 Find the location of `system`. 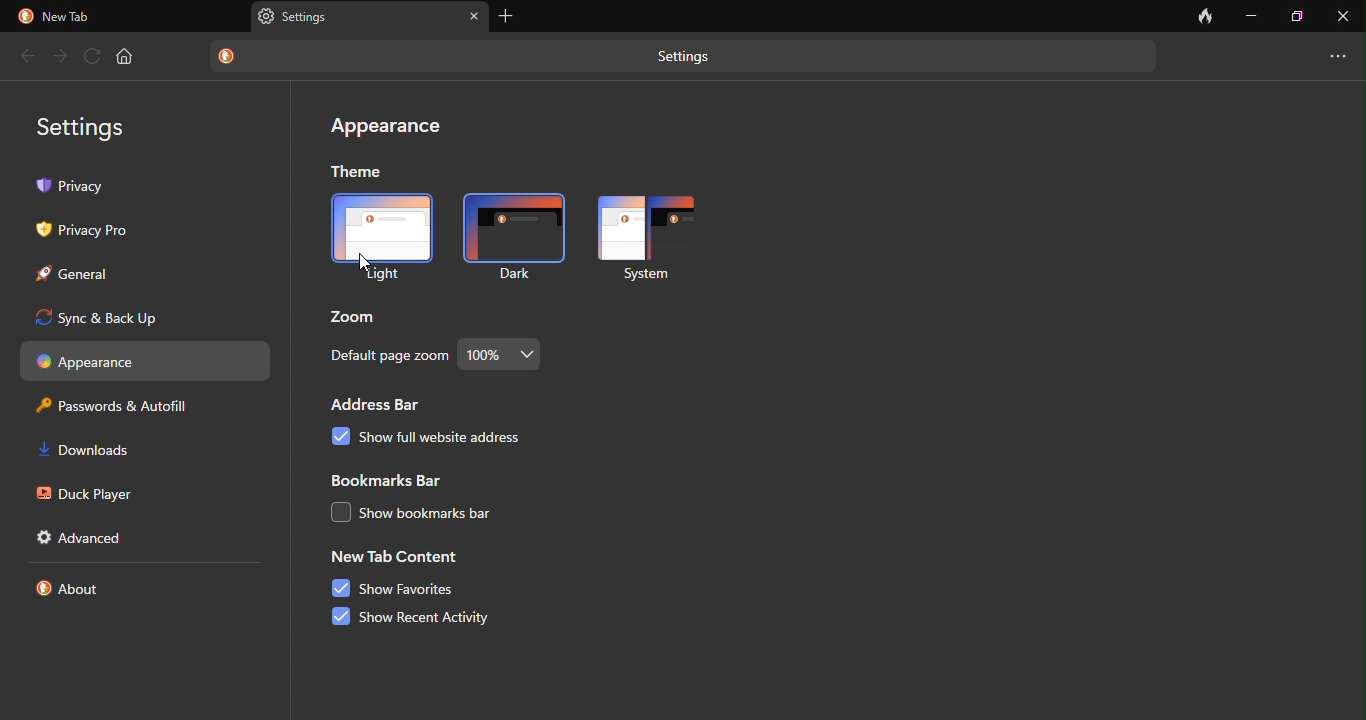

system is located at coordinates (648, 239).